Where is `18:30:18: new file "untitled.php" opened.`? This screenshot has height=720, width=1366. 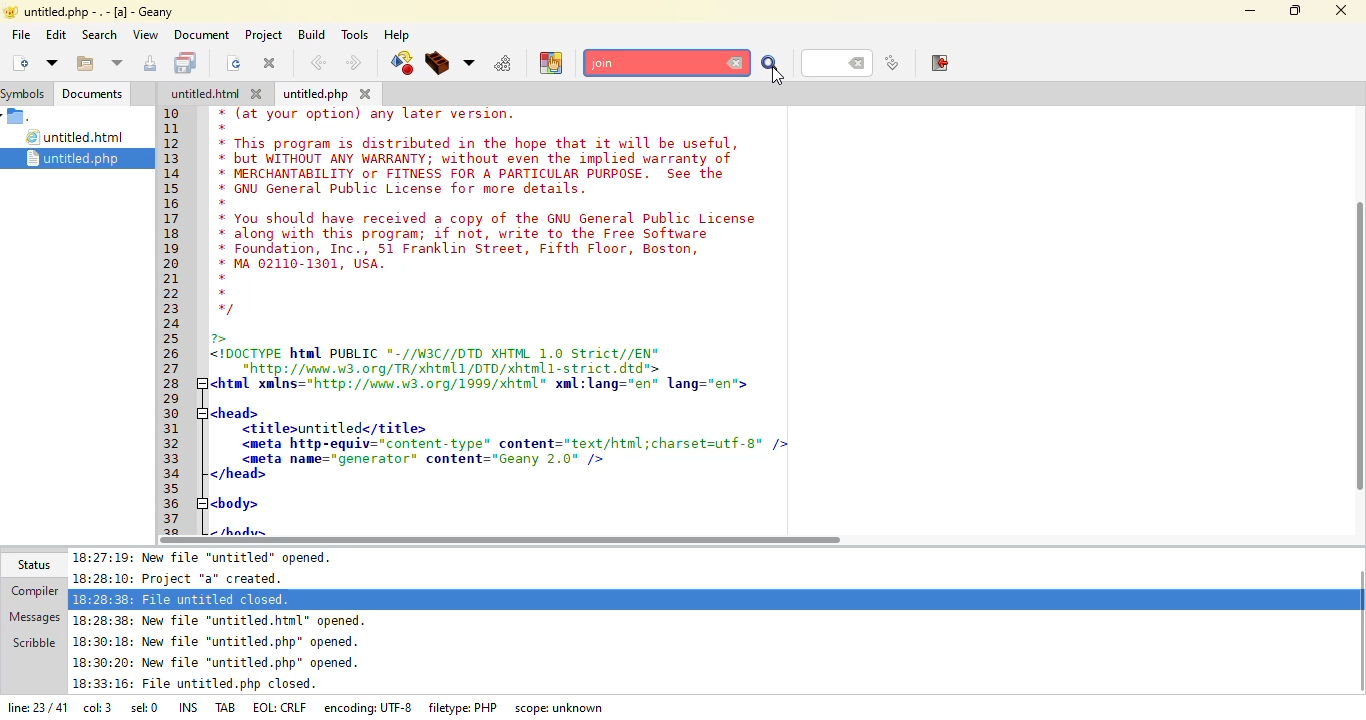 18:30:18: new file "untitled.php" opened. is located at coordinates (217, 644).